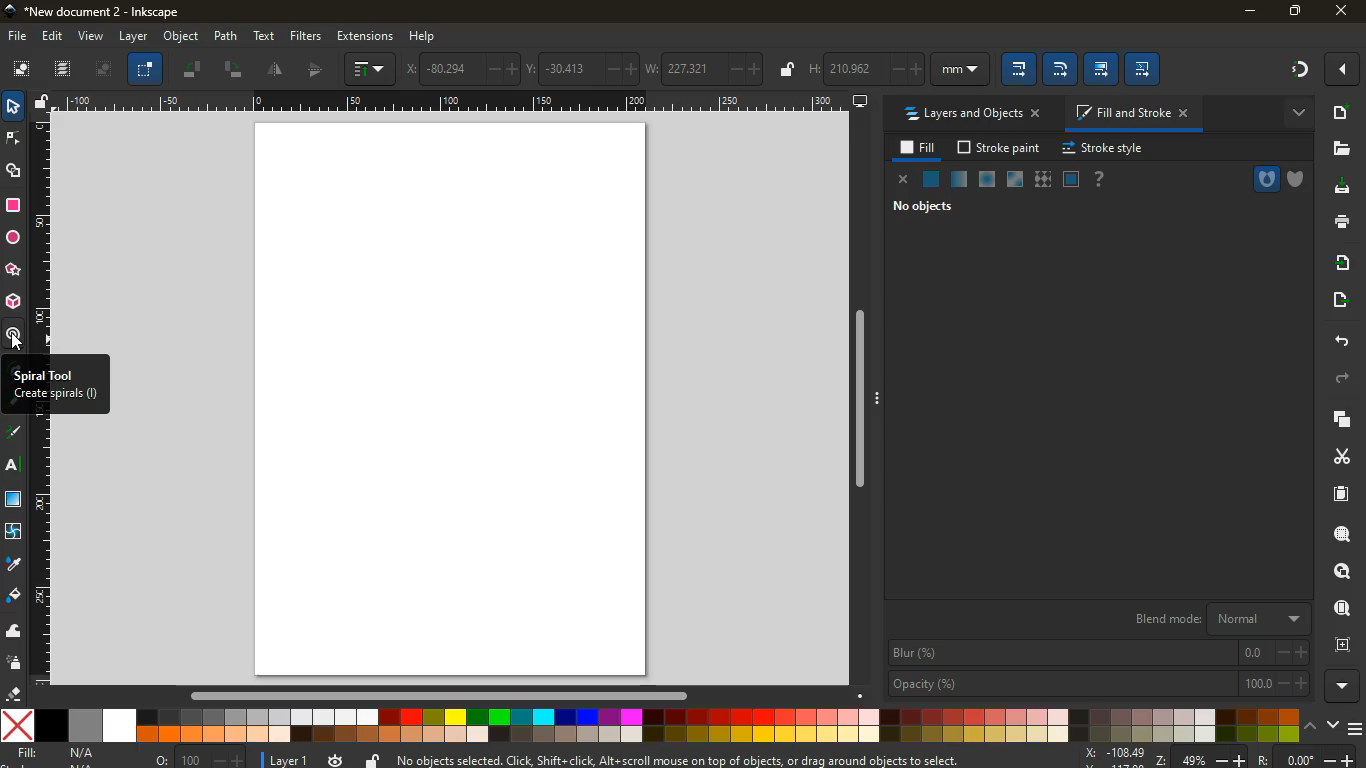 The image size is (1366, 768). I want to click on opacity, so click(959, 180).